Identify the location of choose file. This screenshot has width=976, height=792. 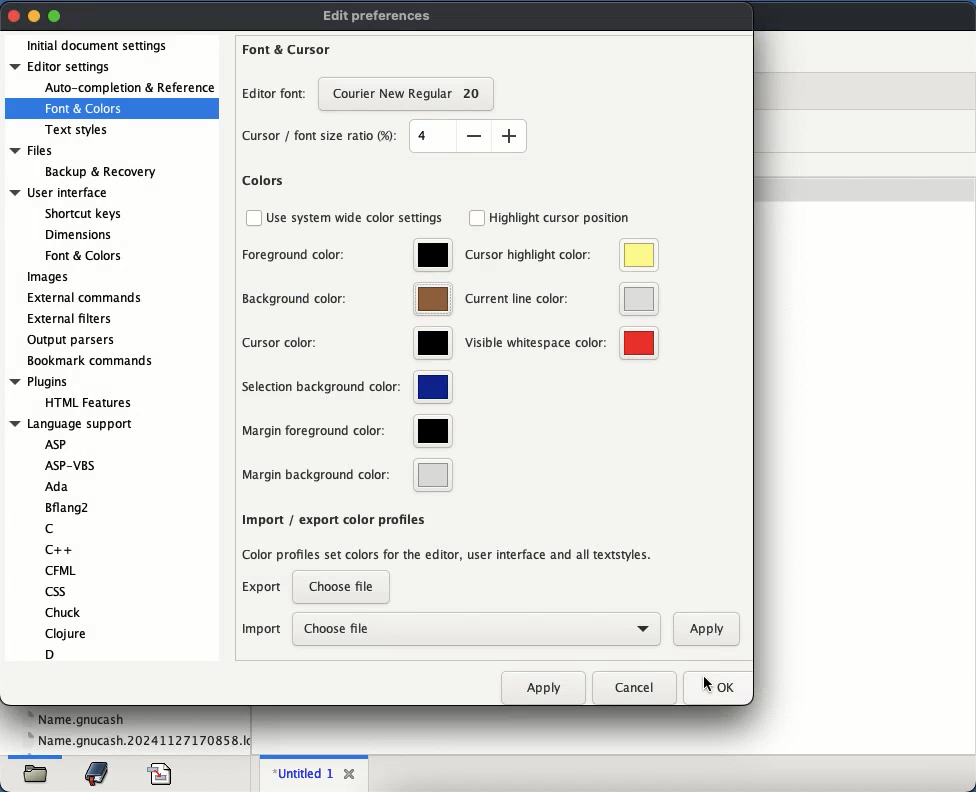
(342, 588).